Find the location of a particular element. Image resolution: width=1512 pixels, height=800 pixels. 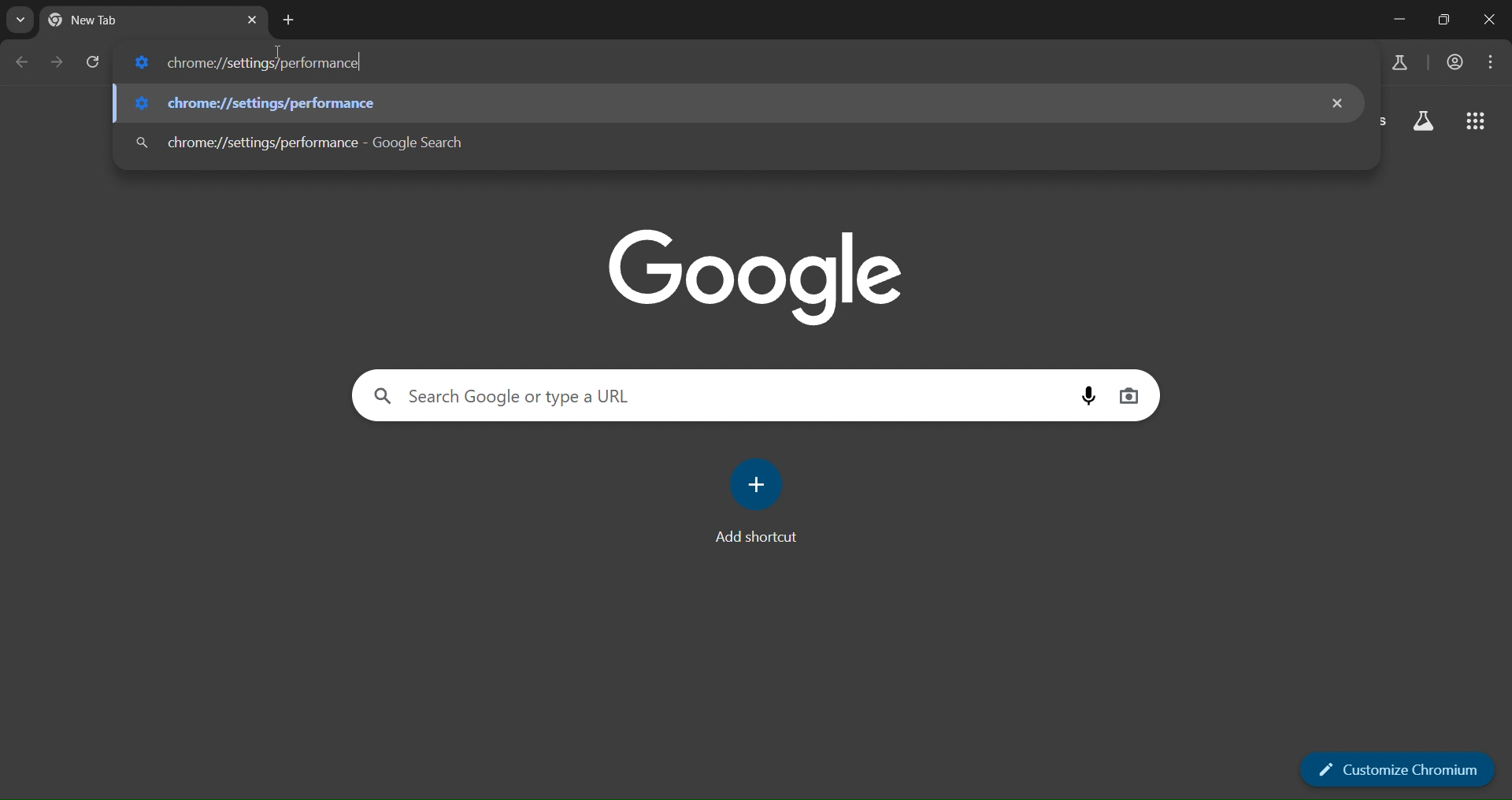

chrome://settings/performance is located at coordinates (716, 103).